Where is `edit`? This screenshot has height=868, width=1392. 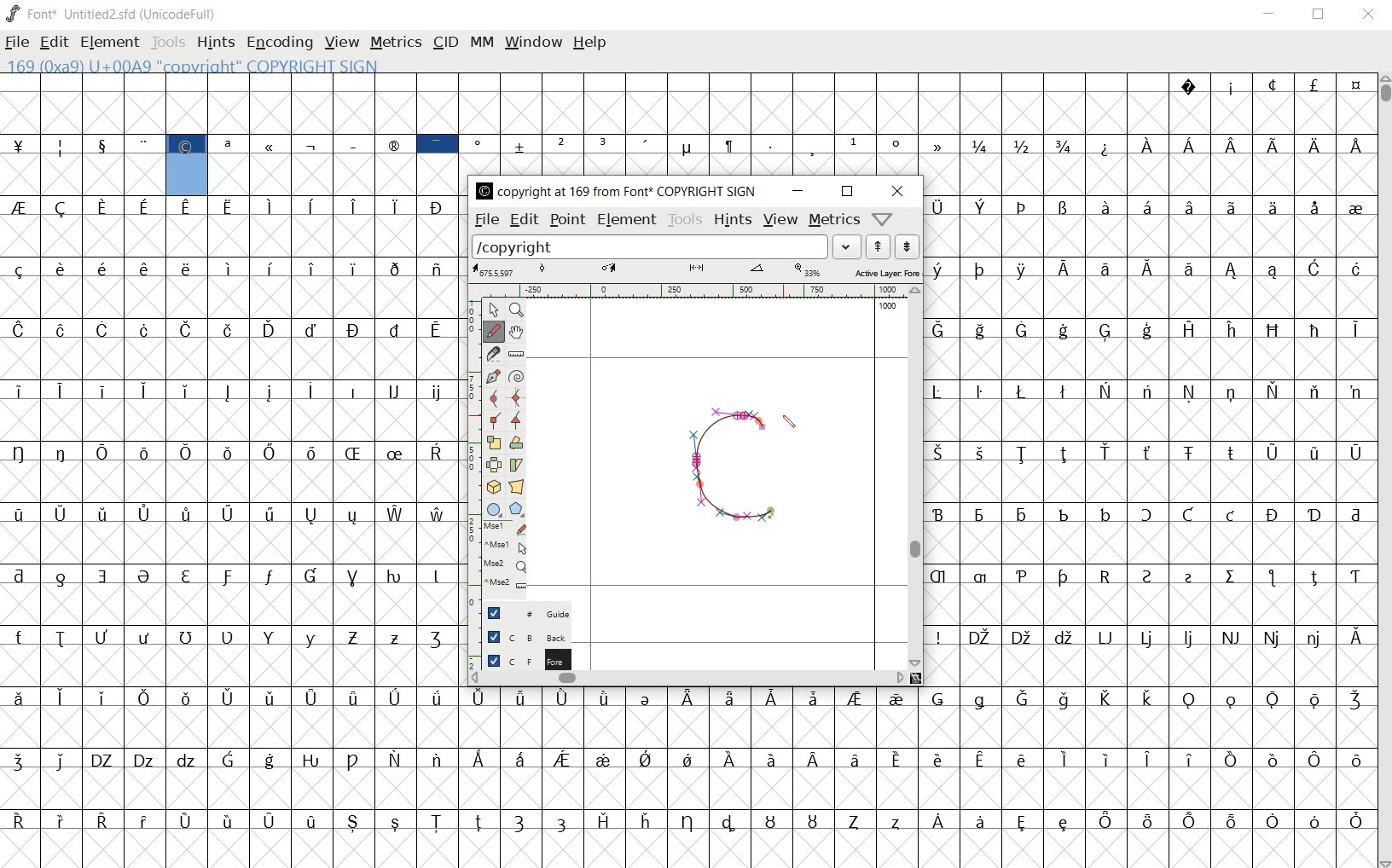 edit is located at coordinates (52, 40).